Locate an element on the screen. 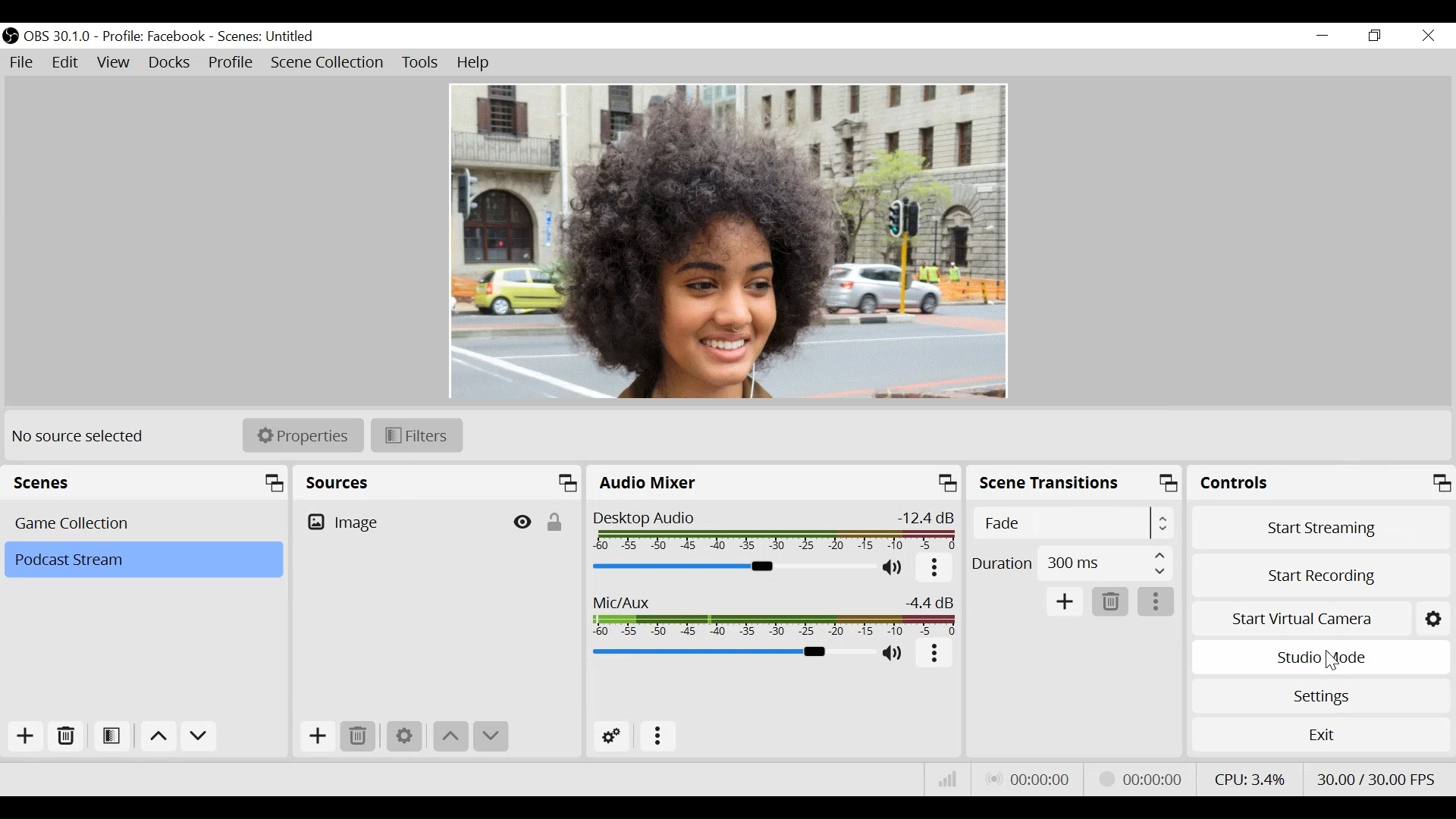 This screenshot has width=1456, height=819. Profile is located at coordinates (153, 37).